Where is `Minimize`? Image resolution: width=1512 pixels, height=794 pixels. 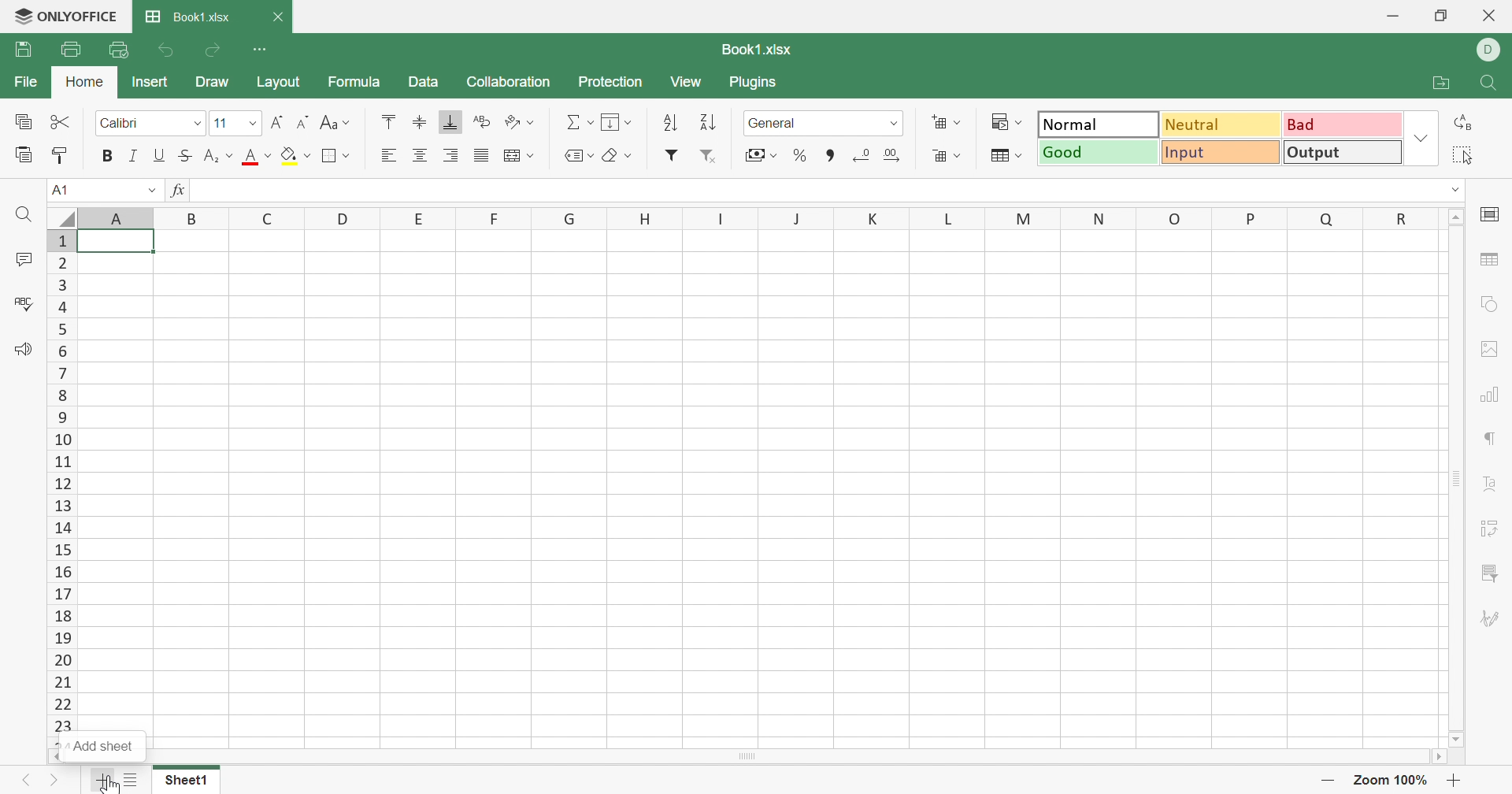 Minimize is located at coordinates (1389, 16).